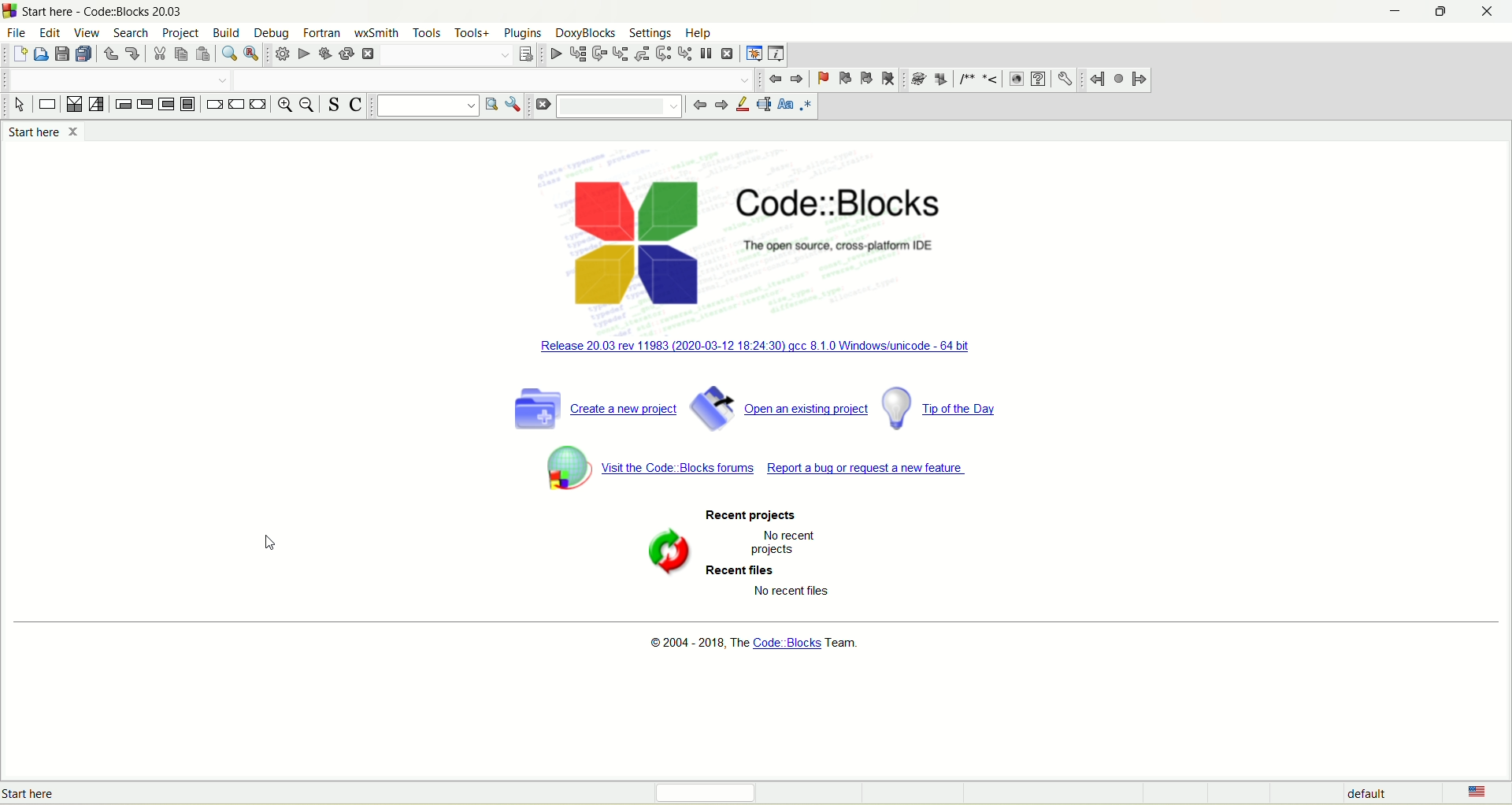 The height and width of the screenshot is (805, 1512). What do you see at coordinates (580, 54) in the screenshot?
I see `run to cursor` at bounding box center [580, 54].